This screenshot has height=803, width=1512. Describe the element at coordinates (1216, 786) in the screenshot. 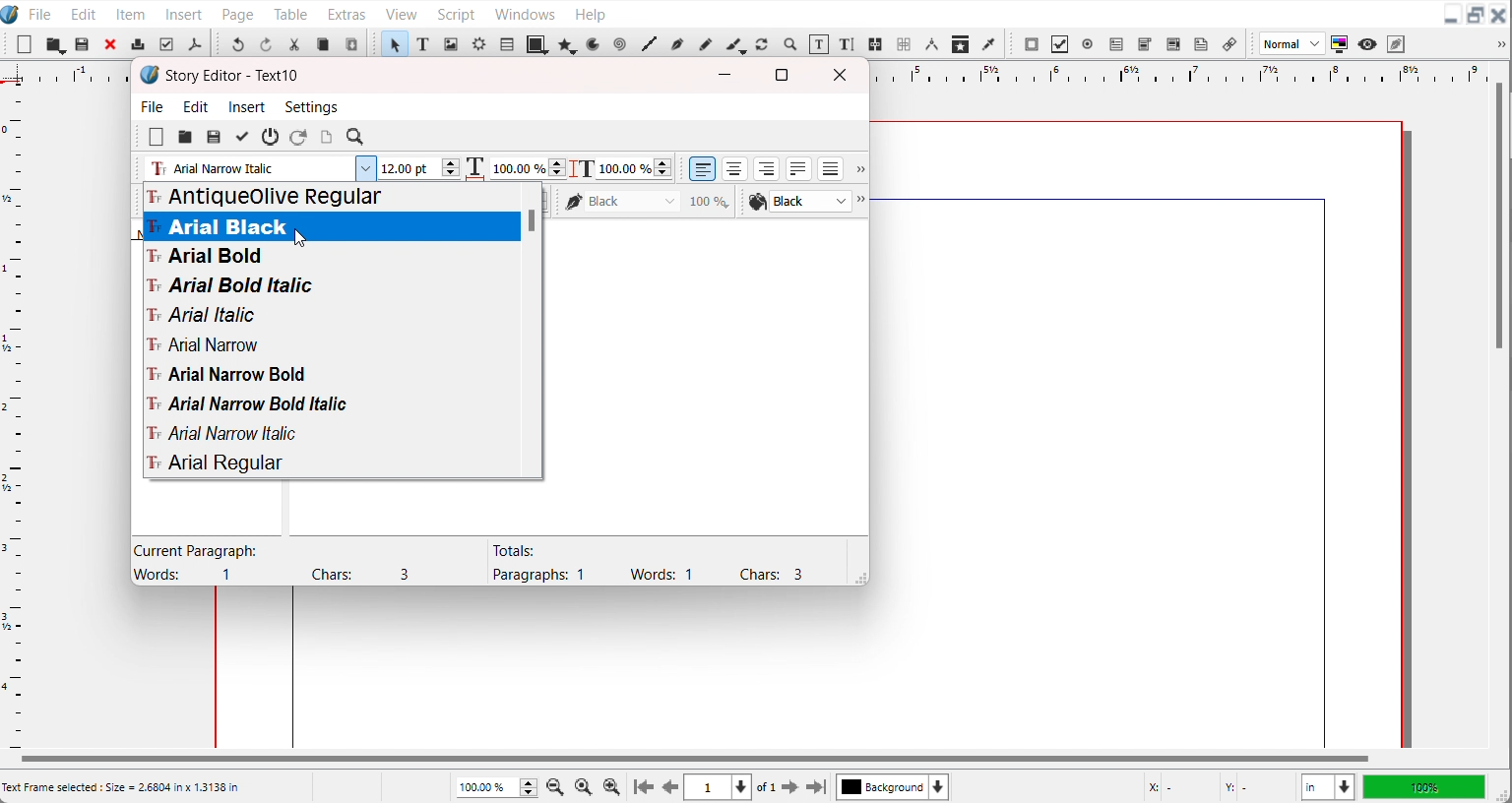

I see `X,Y Co-ordinate` at that location.